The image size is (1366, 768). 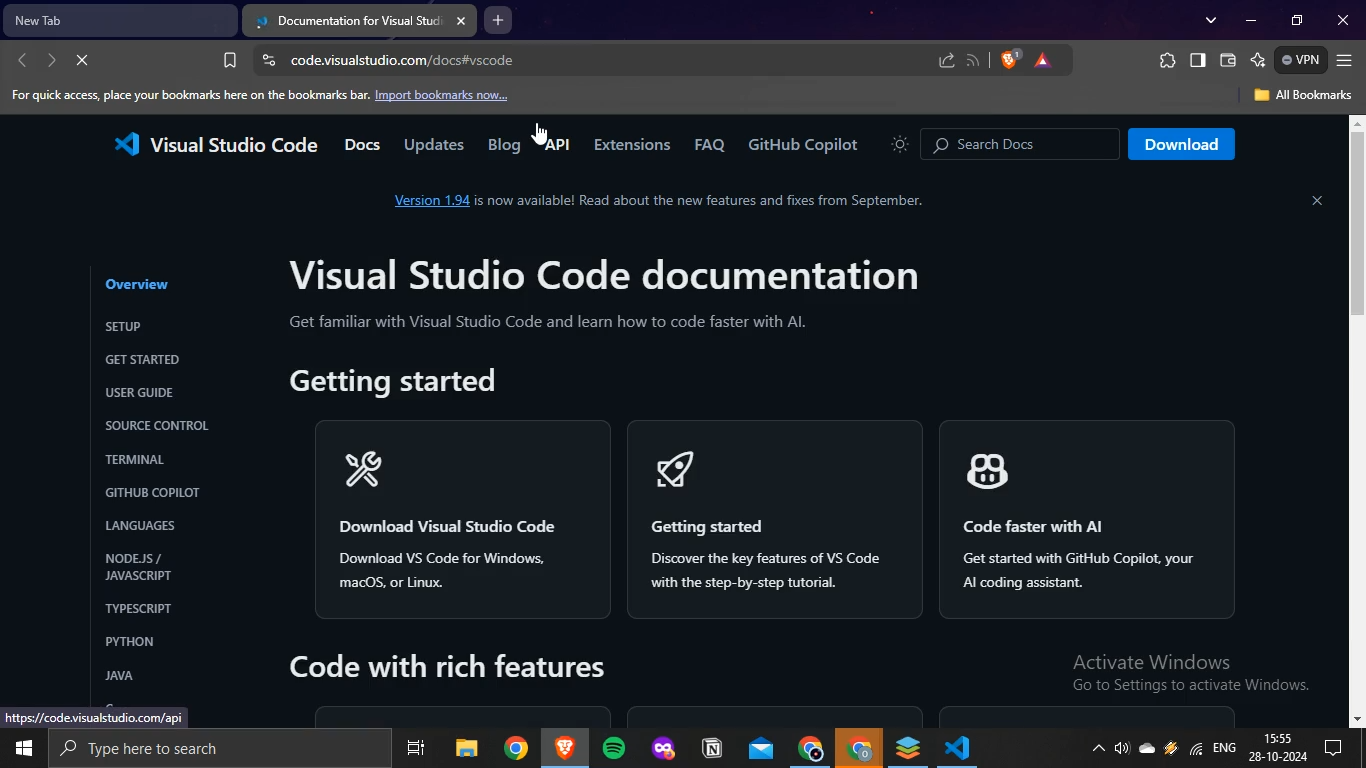 What do you see at coordinates (1010, 62) in the screenshot?
I see `brave shields` at bounding box center [1010, 62].